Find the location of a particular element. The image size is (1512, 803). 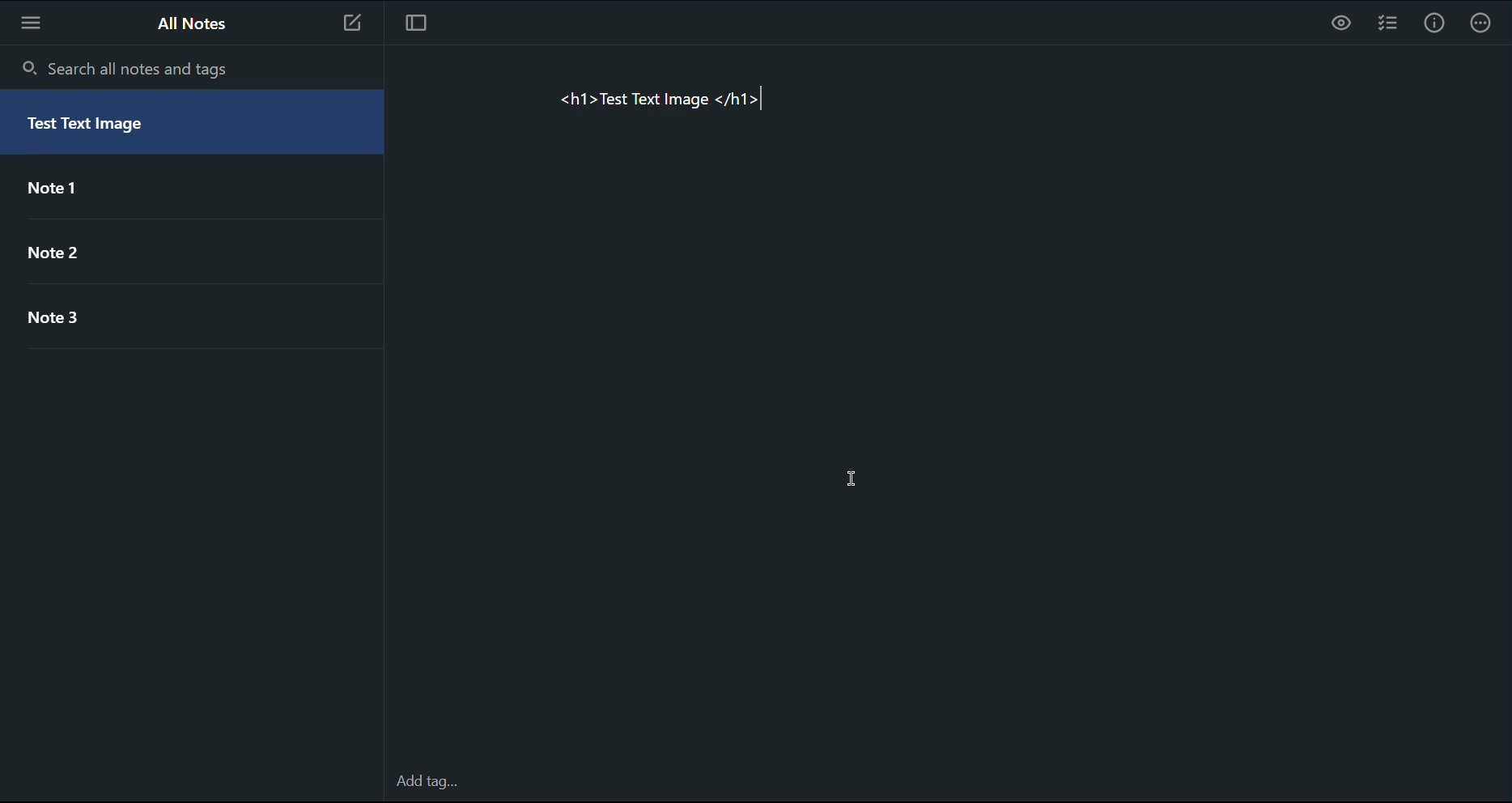

Cursor is located at coordinates (852, 479).